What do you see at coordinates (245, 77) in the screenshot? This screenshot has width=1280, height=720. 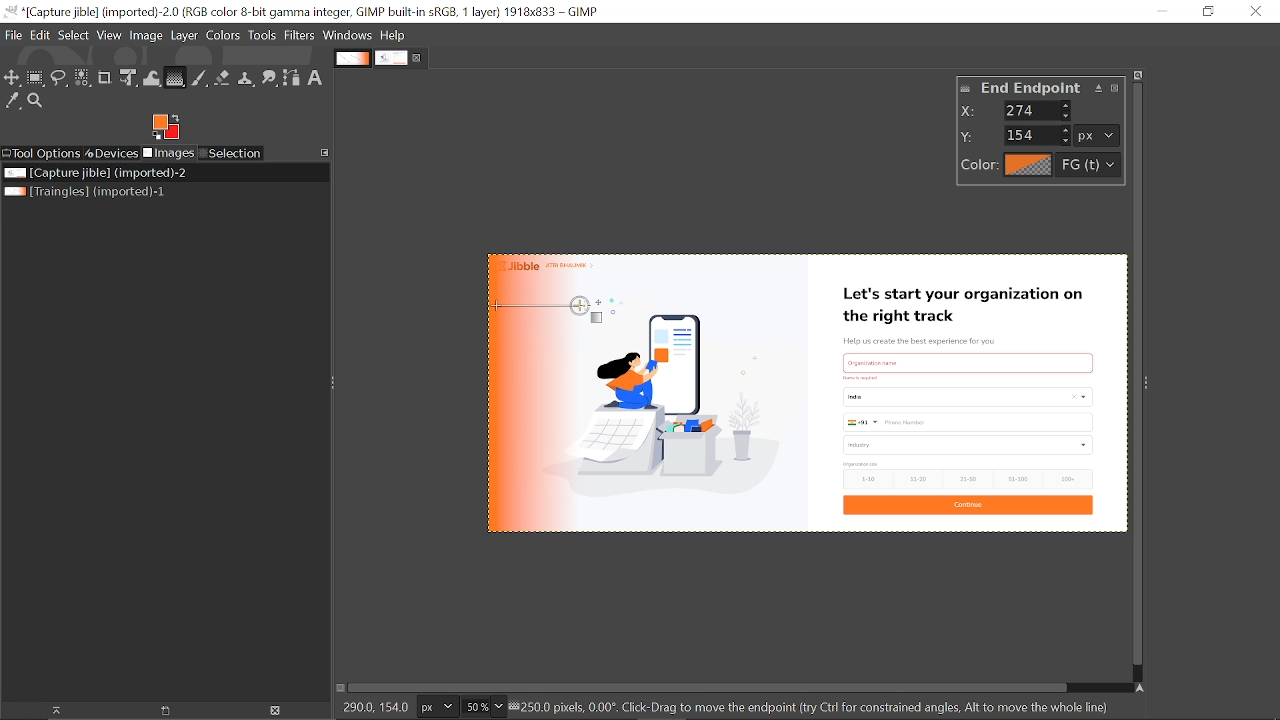 I see `Clone tool` at bounding box center [245, 77].